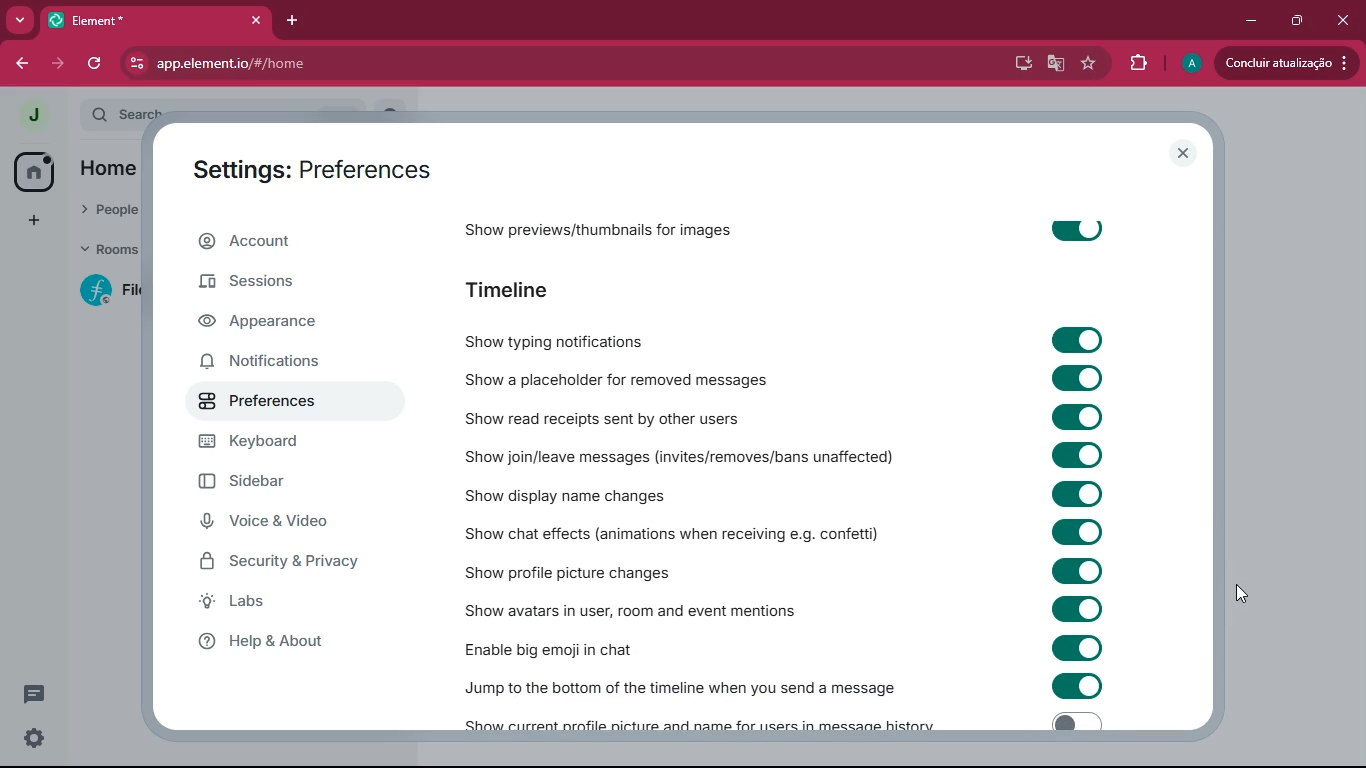 Image resolution: width=1366 pixels, height=768 pixels. What do you see at coordinates (37, 739) in the screenshot?
I see `settings` at bounding box center [37, 739].